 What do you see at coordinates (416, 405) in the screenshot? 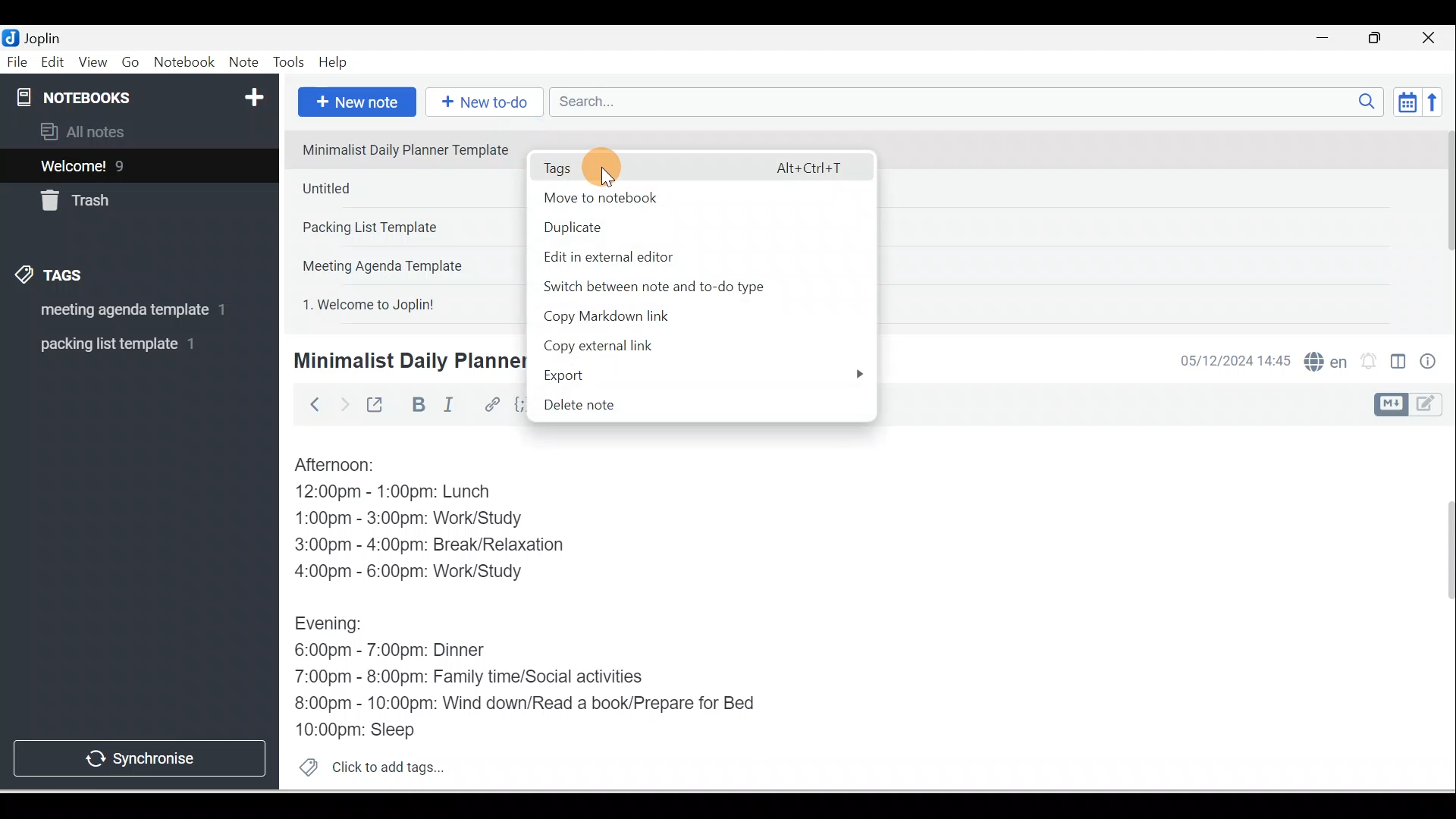
I see `Bold` at bounding box center [416, 405].